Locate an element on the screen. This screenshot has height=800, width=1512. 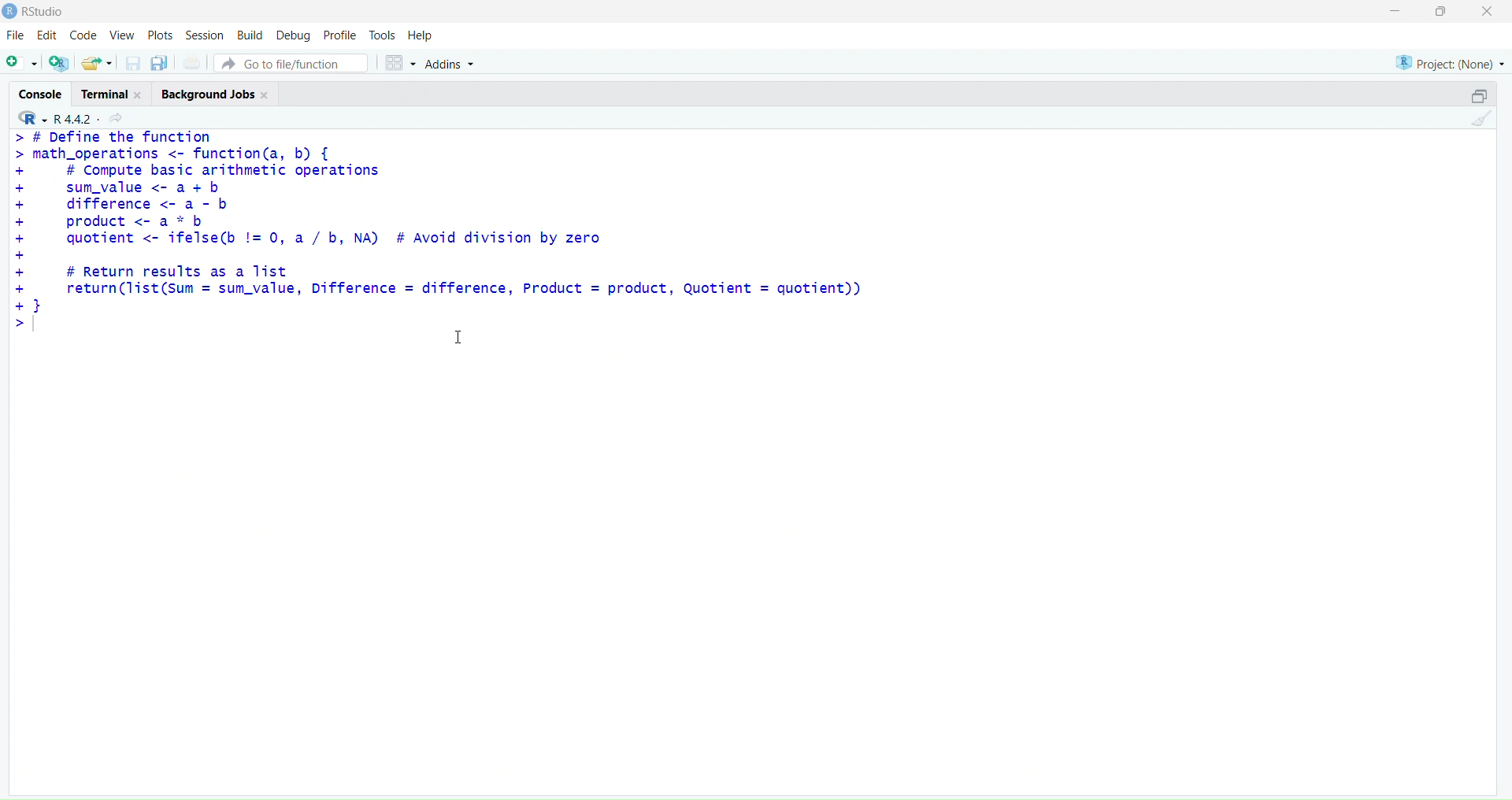
New File is located at coordinates (20, 61).